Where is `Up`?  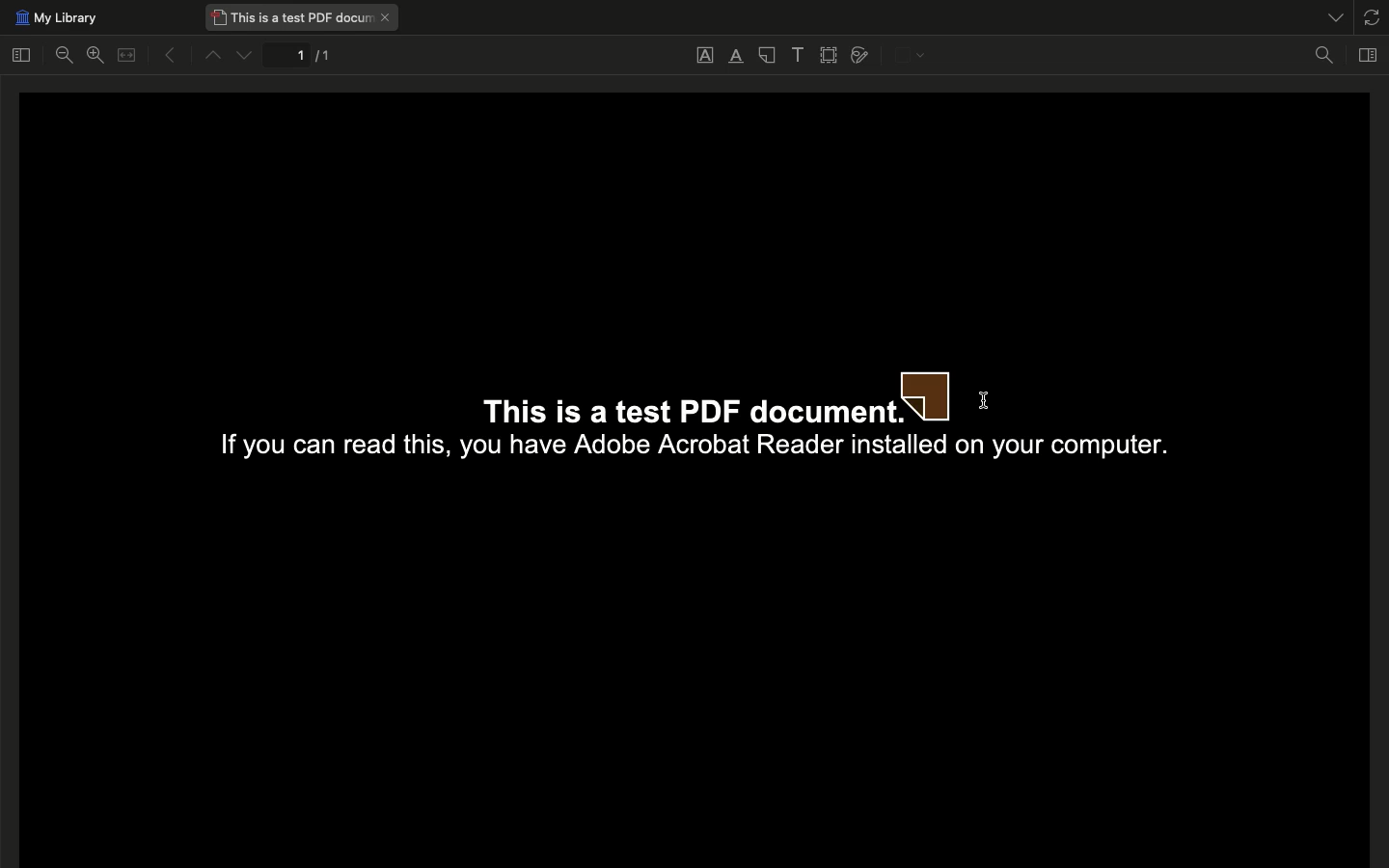 Up is located at coordinates (211, 57).